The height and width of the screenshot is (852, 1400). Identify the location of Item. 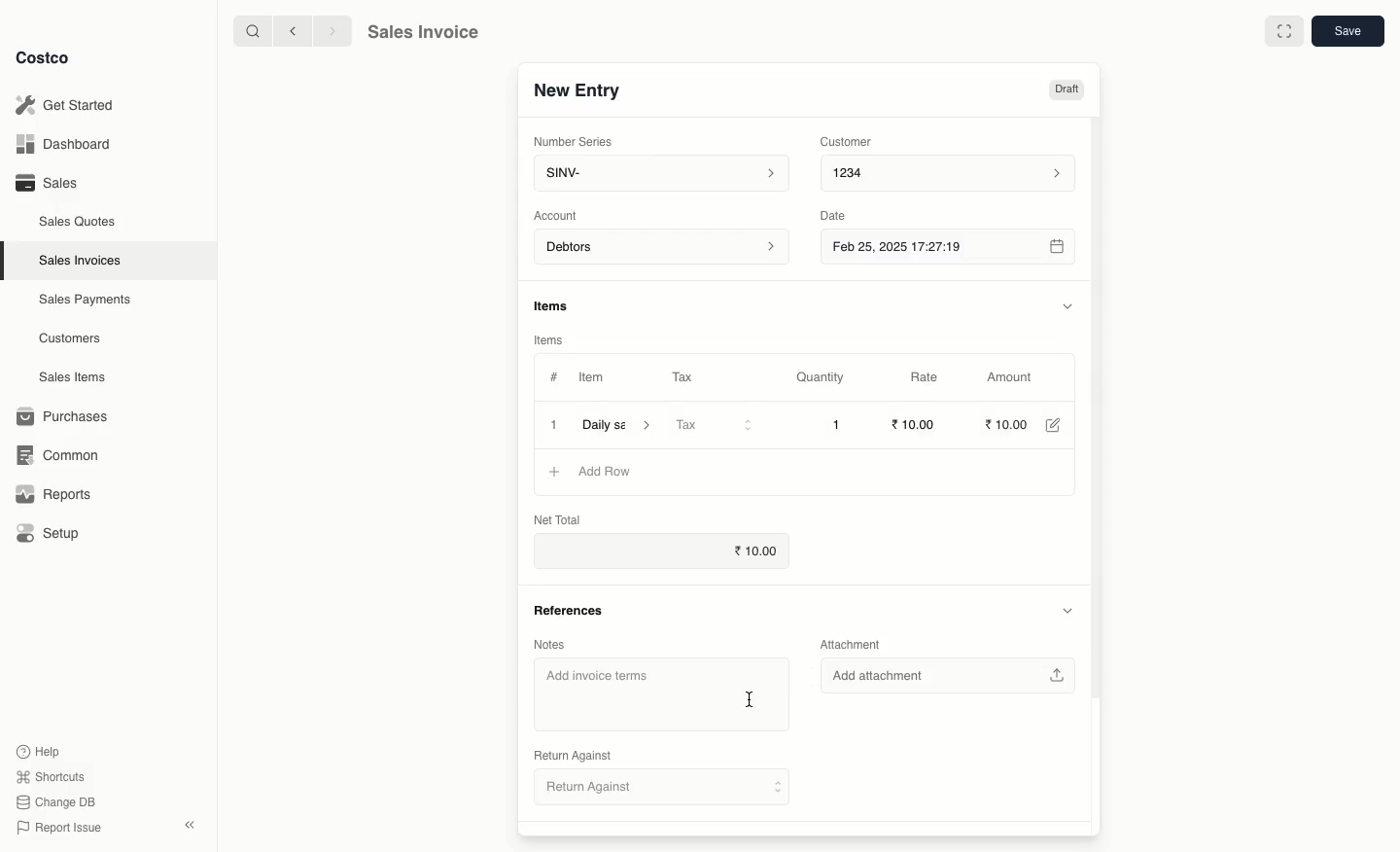
(594, 377).